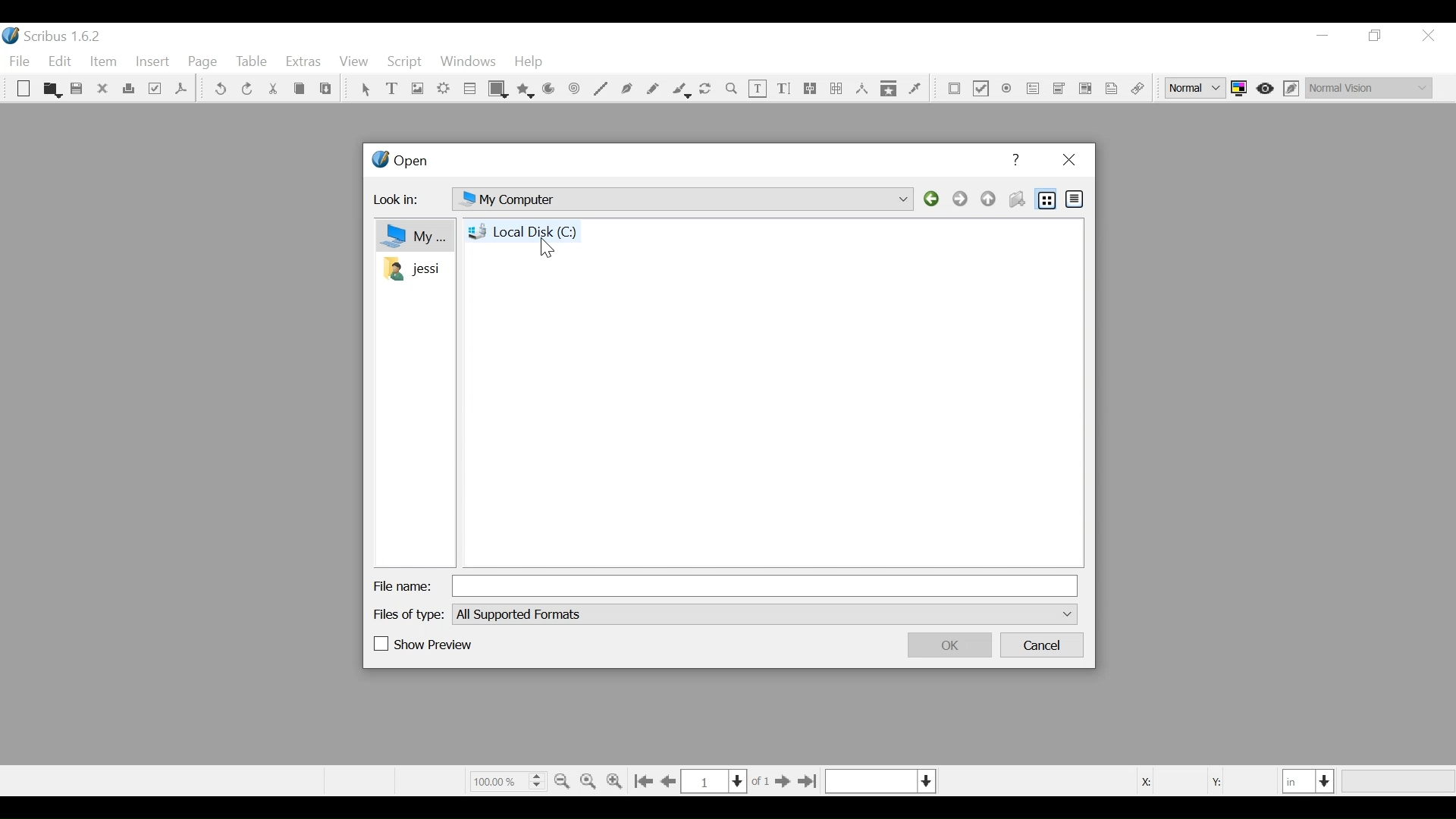 The width and height of the screenshot is (1456, 819). What do you see at coordinates (529, 63) in the screenshot?
I see `Help` at bounding box center [529, 63].